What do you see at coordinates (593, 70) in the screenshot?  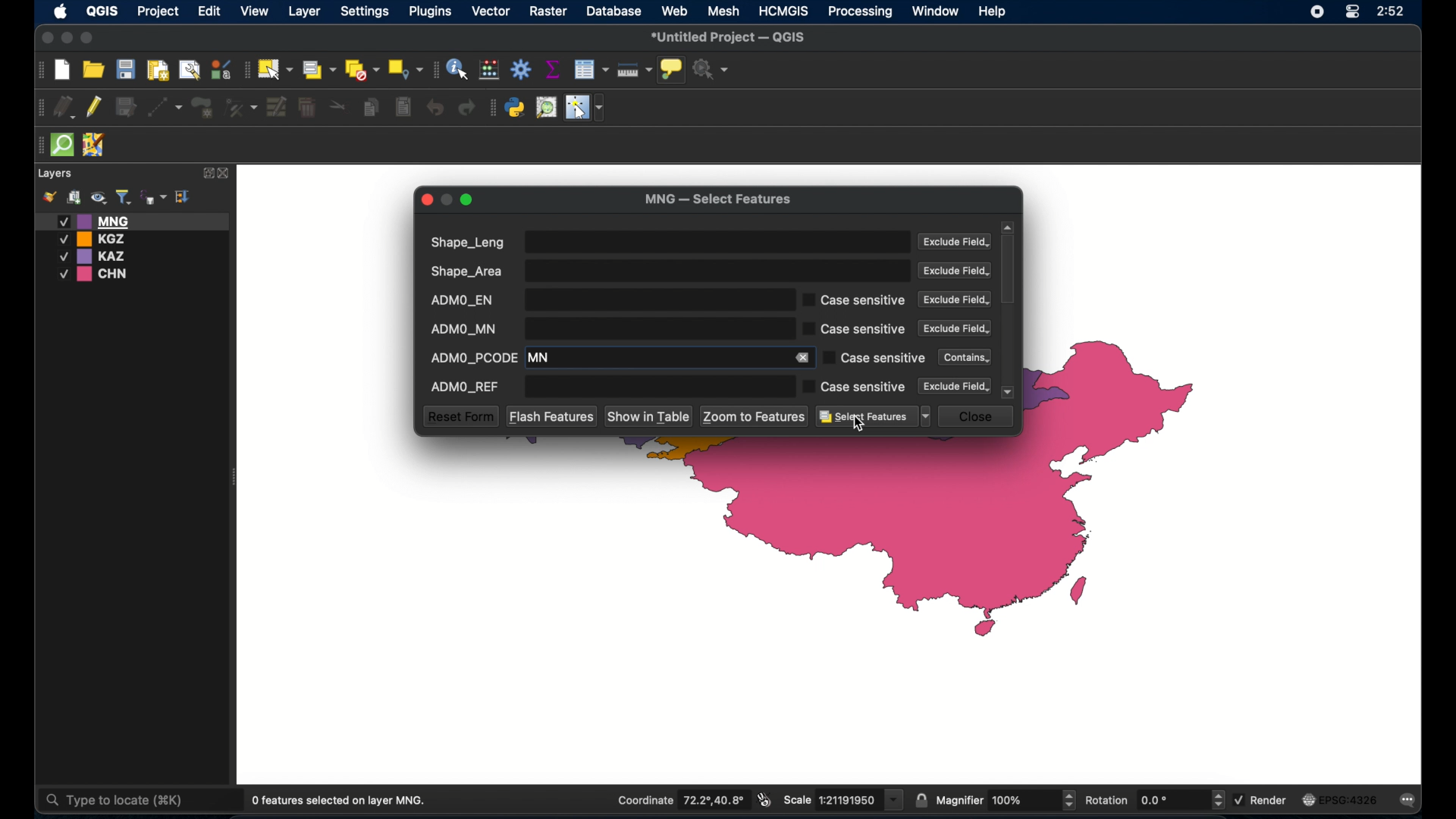 I see `open attribute table` at bounding box center [593, 70].